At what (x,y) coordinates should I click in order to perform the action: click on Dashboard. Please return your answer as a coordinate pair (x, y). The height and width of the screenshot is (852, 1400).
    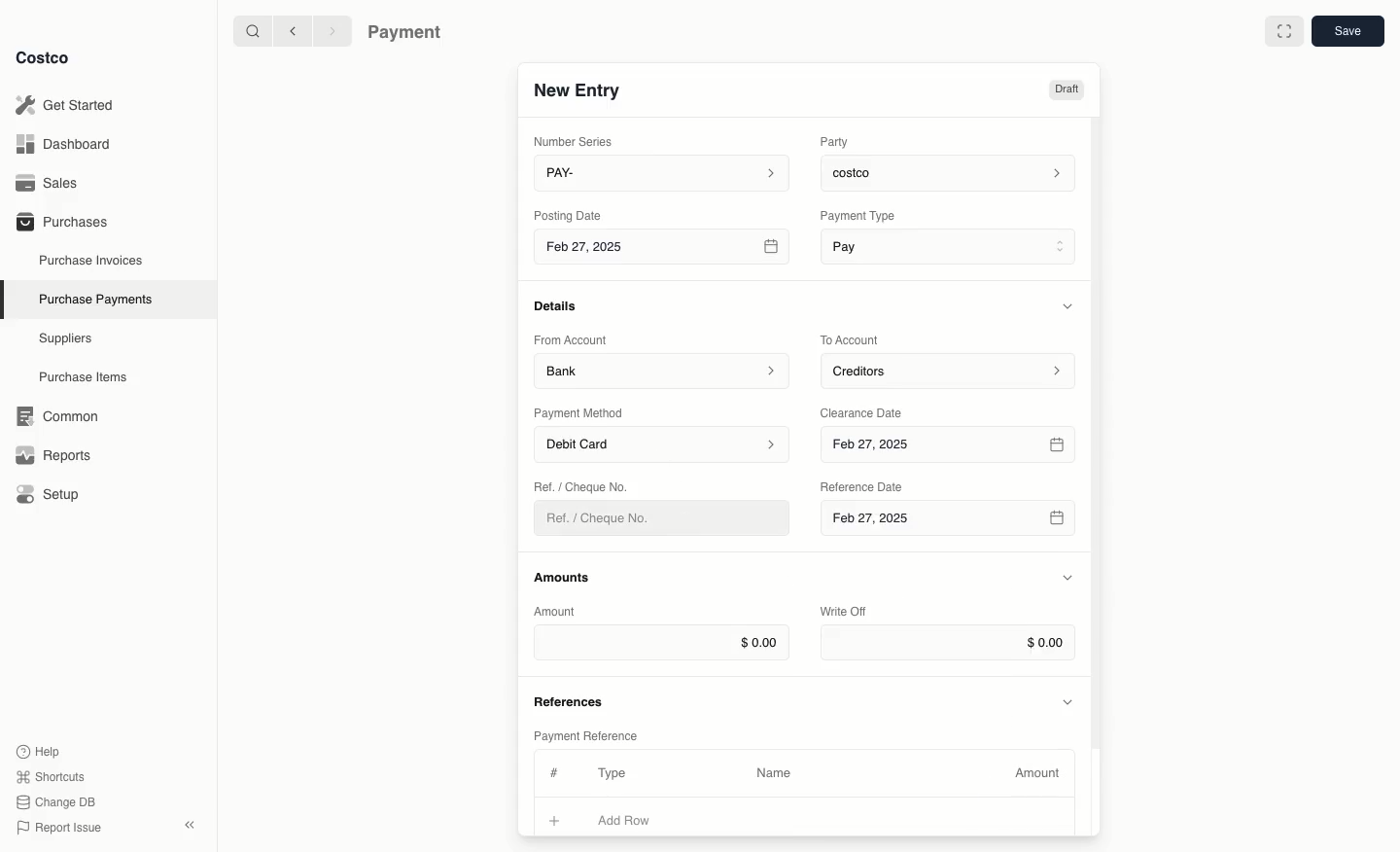
    Looking at the image, I should click on (69, 143).